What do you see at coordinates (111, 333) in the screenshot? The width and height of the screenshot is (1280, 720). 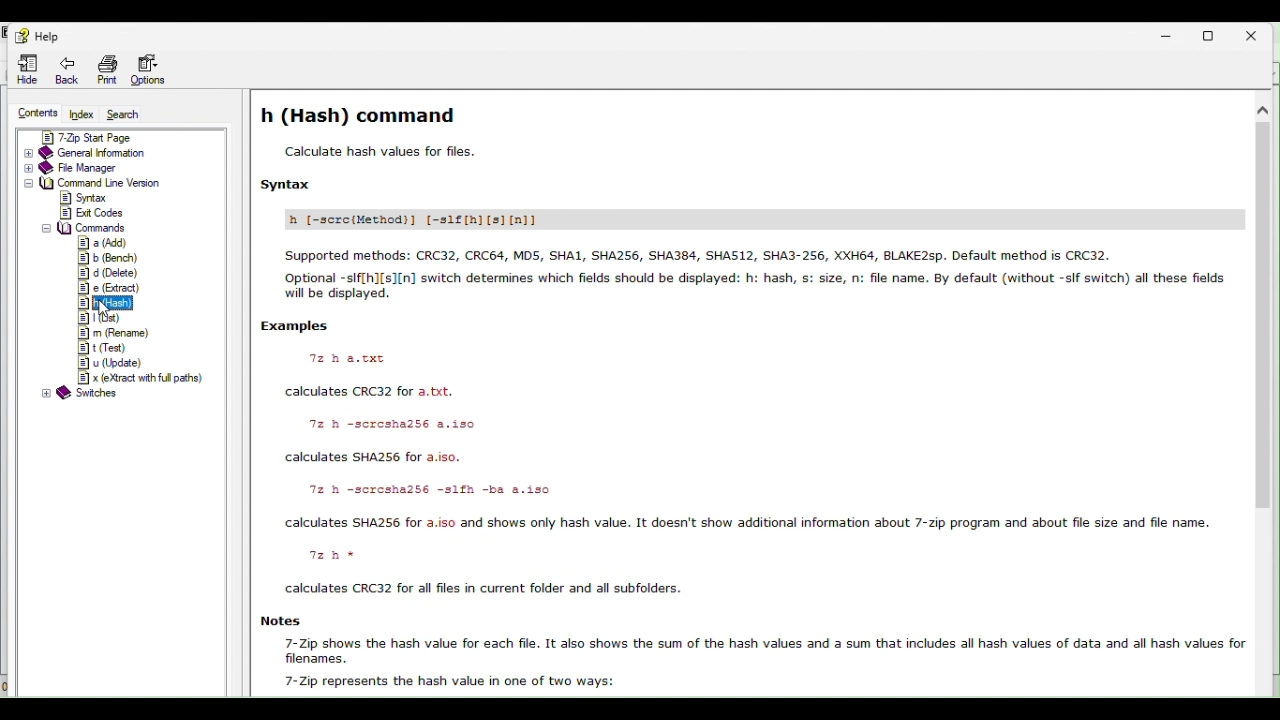 I see `m(rename)` at bounding box center [111, 333].